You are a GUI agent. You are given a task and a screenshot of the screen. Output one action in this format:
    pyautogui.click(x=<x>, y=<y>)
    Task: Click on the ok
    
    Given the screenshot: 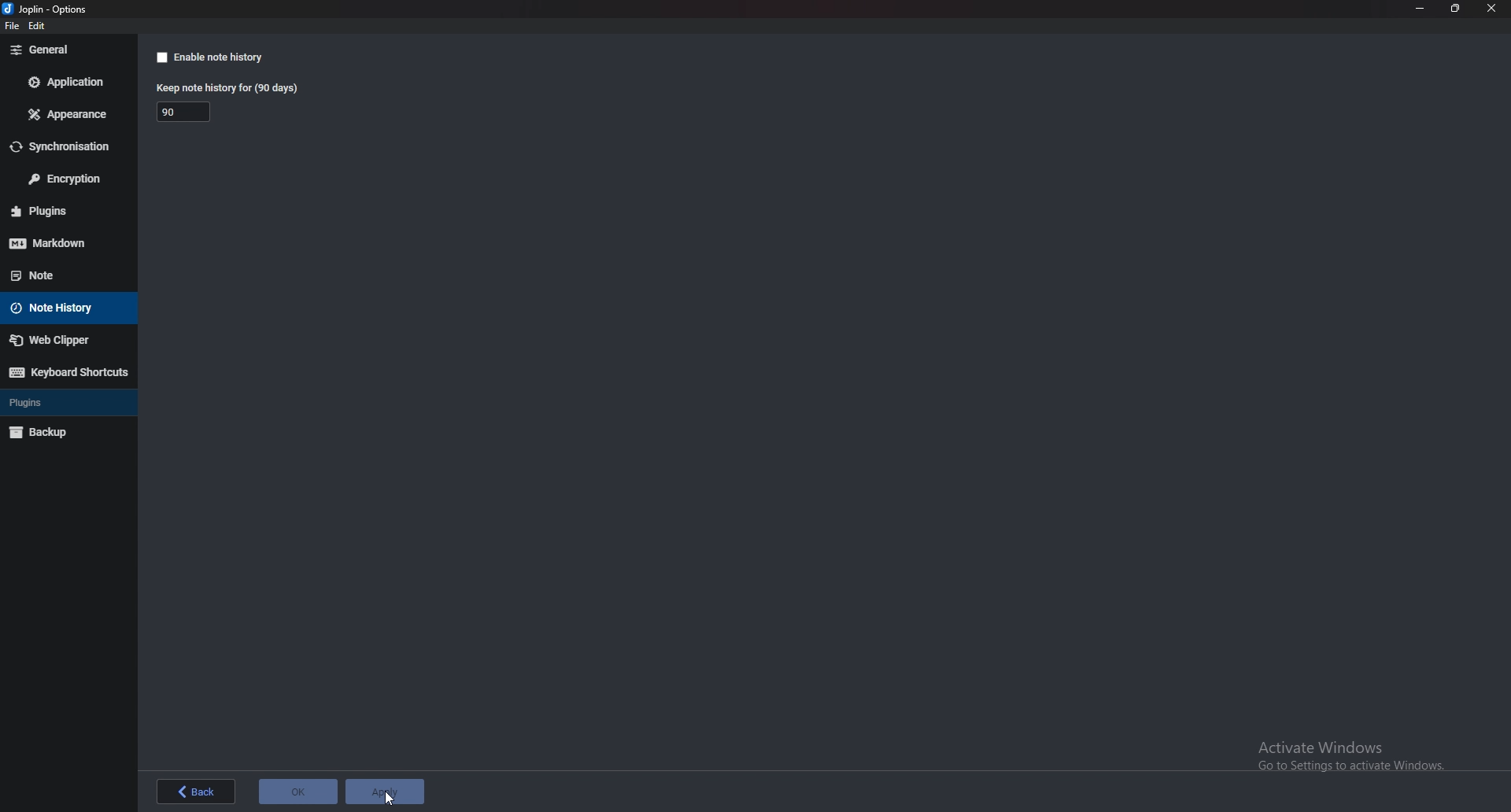 What is the action you would take?
    pyautogui.click(x=300, y=792)
    